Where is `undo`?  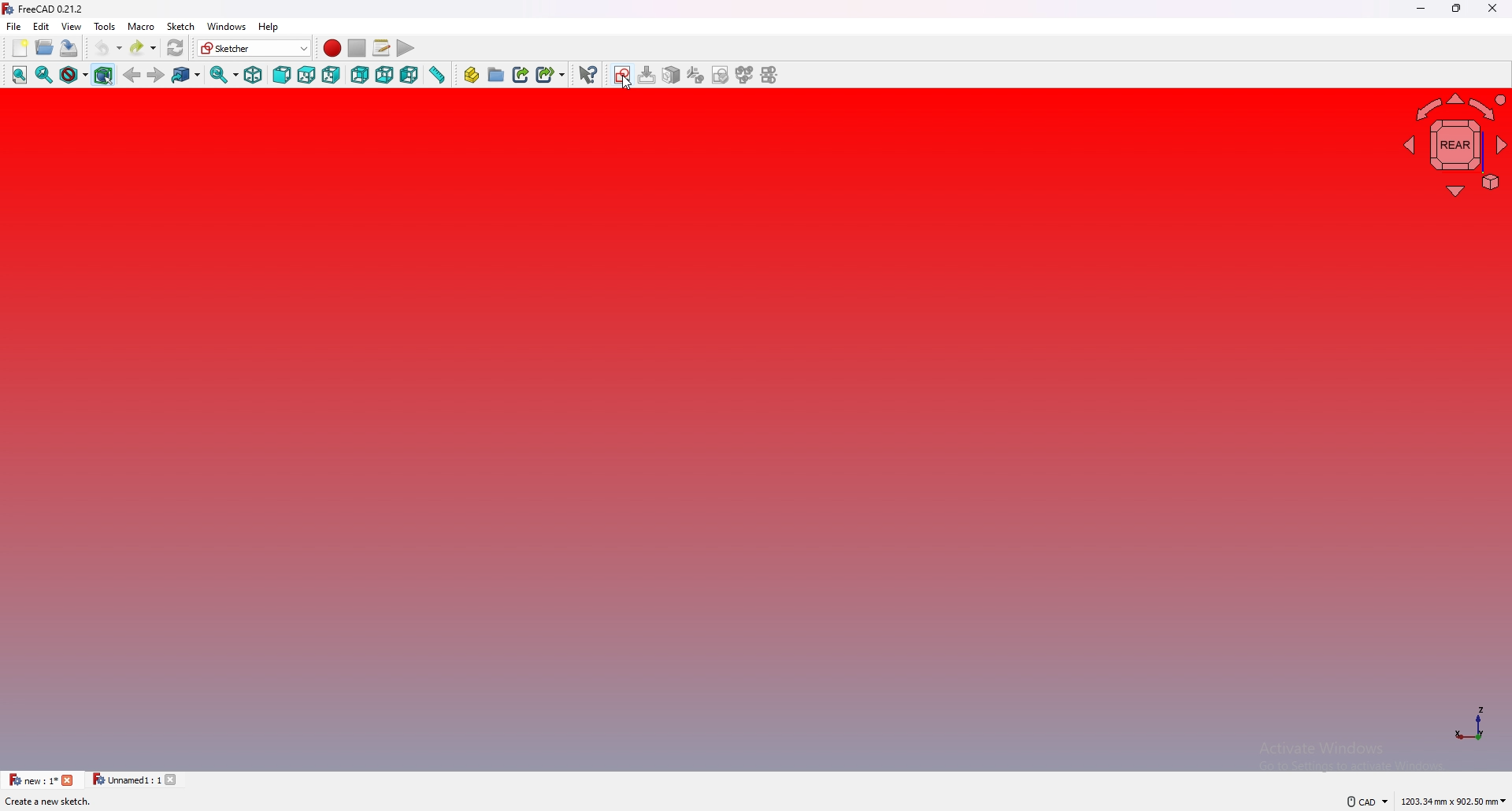 undo is located at coordinates (108, 48).